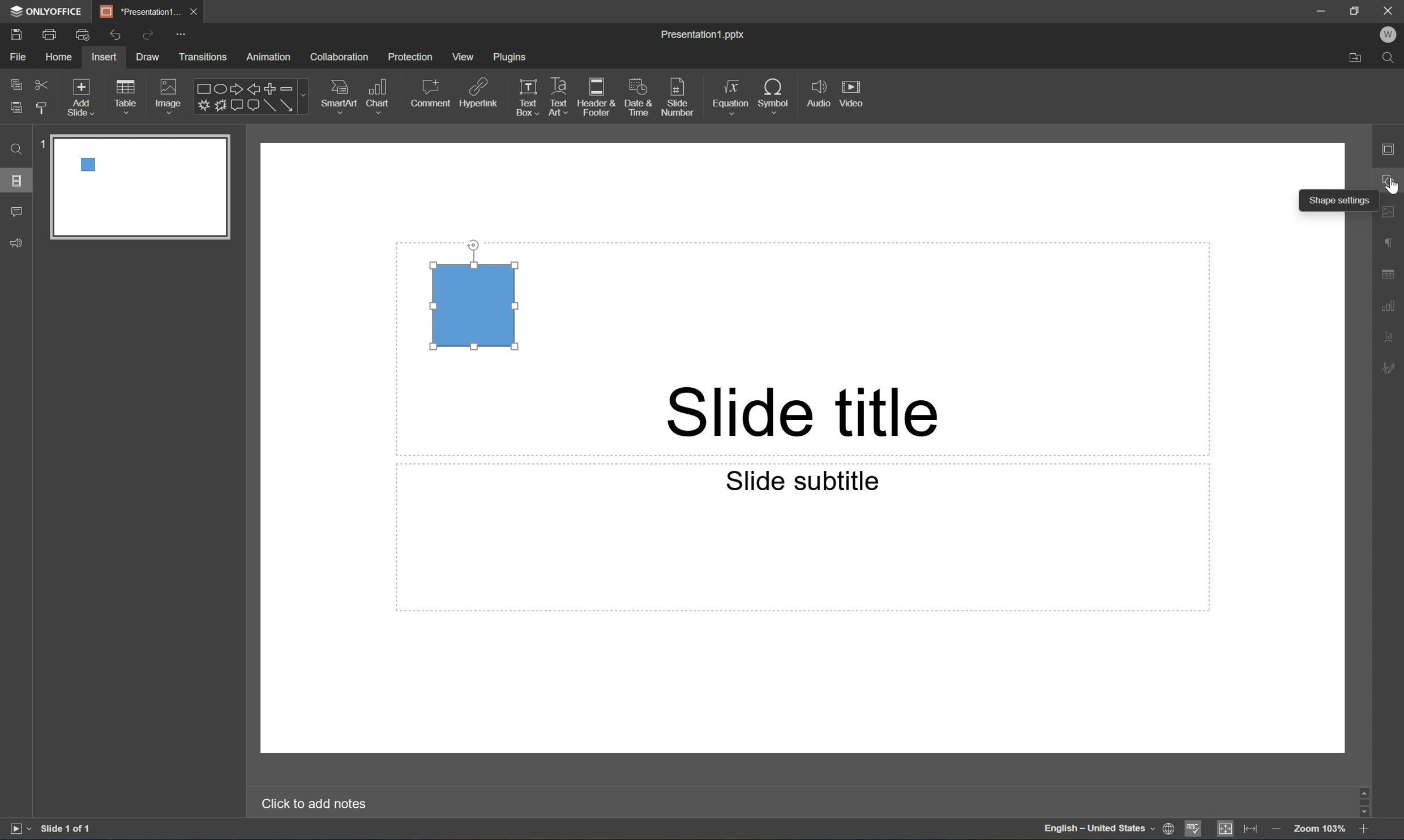 The height and width of the screenshot is (840, 1404). What do you see at coordinates (234, 89) in the screenshot?
I see `Right arrow` at bounding box center [234, 89].